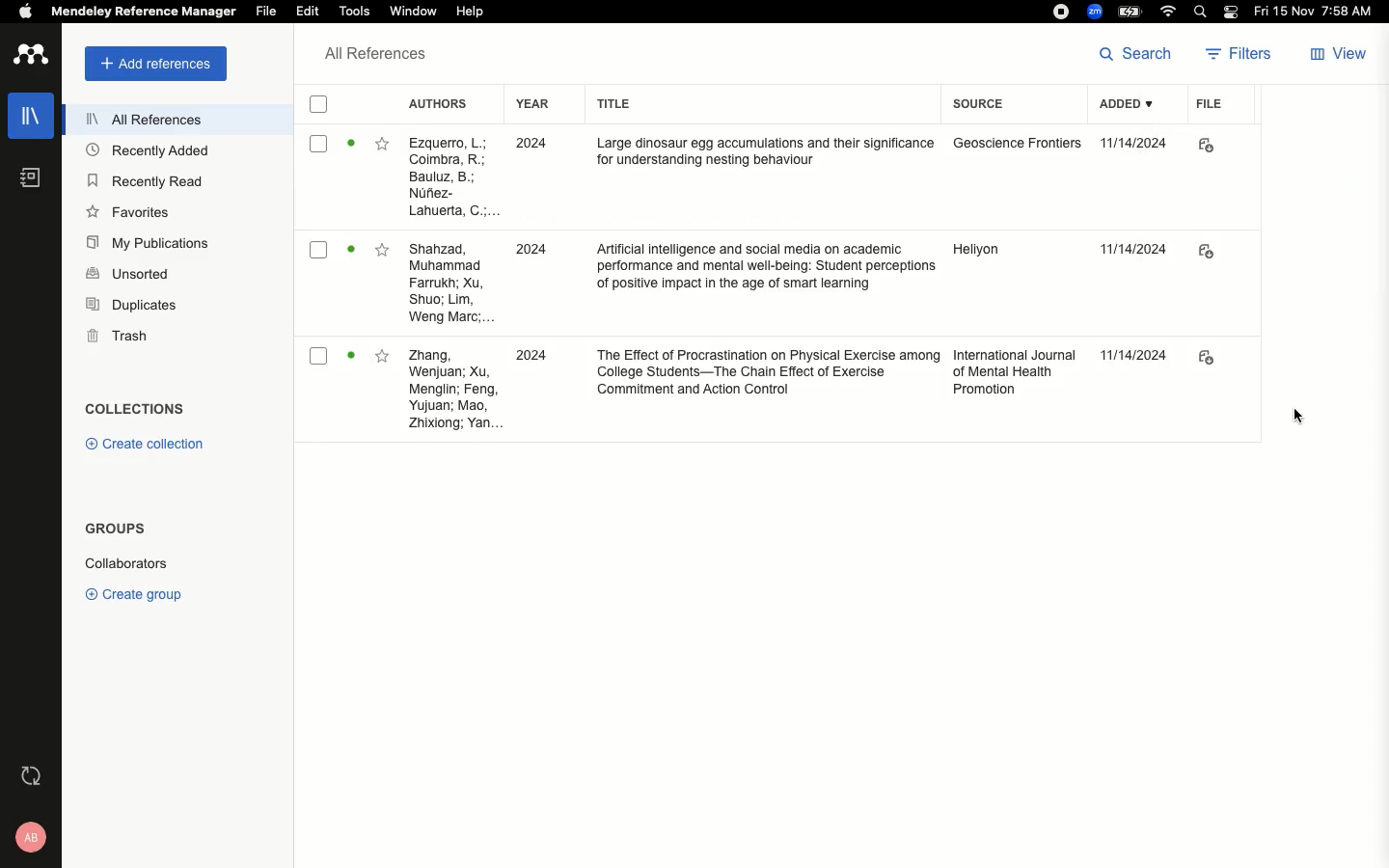  I want to click on Artificial intelligence and social media on academic
performance and mental well-being: Student perceptions
of positive impact in the age of smart leaming, so click(766, 270).